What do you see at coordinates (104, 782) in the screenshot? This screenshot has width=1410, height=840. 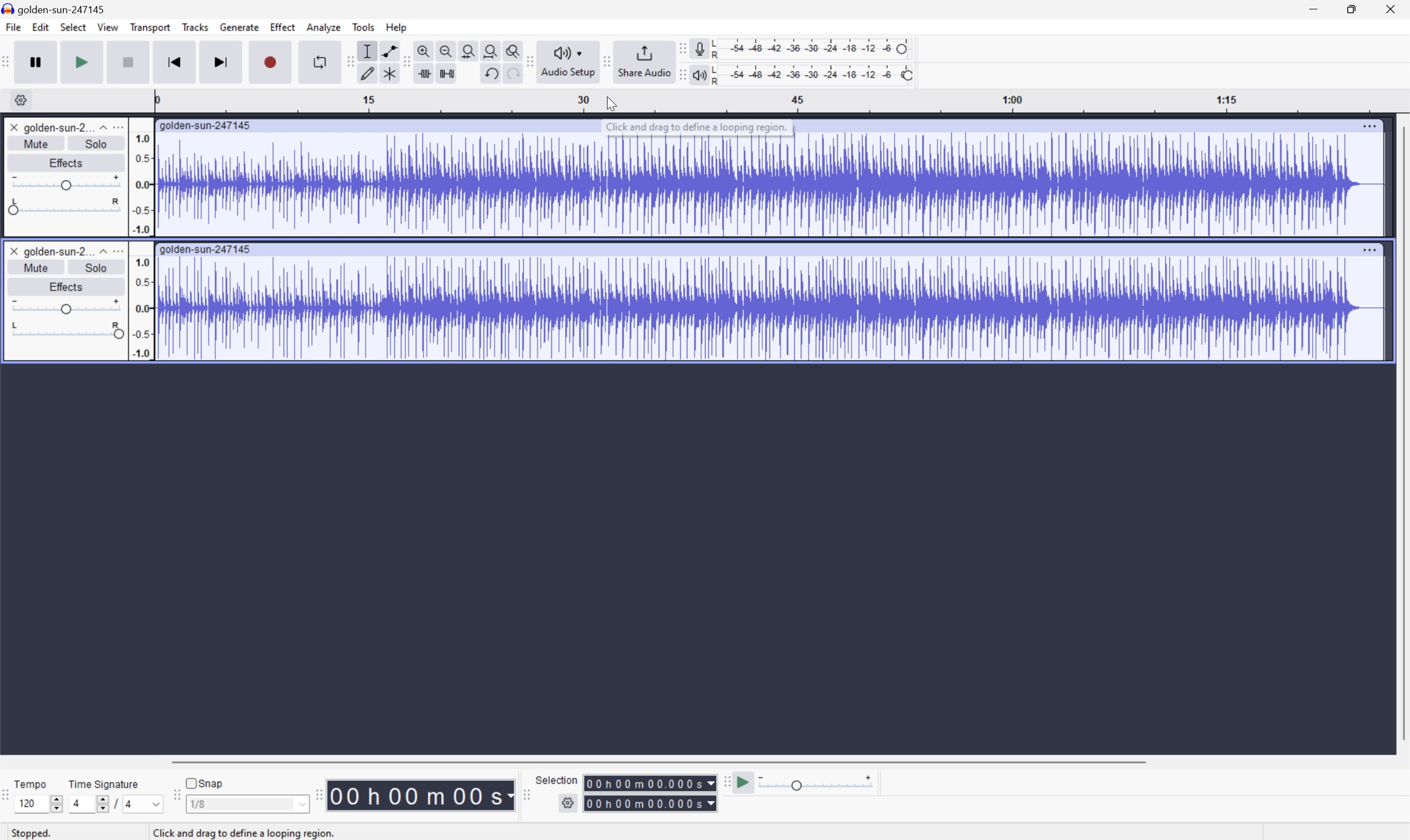 I see `Time signature` at bounding box center [104, 782].